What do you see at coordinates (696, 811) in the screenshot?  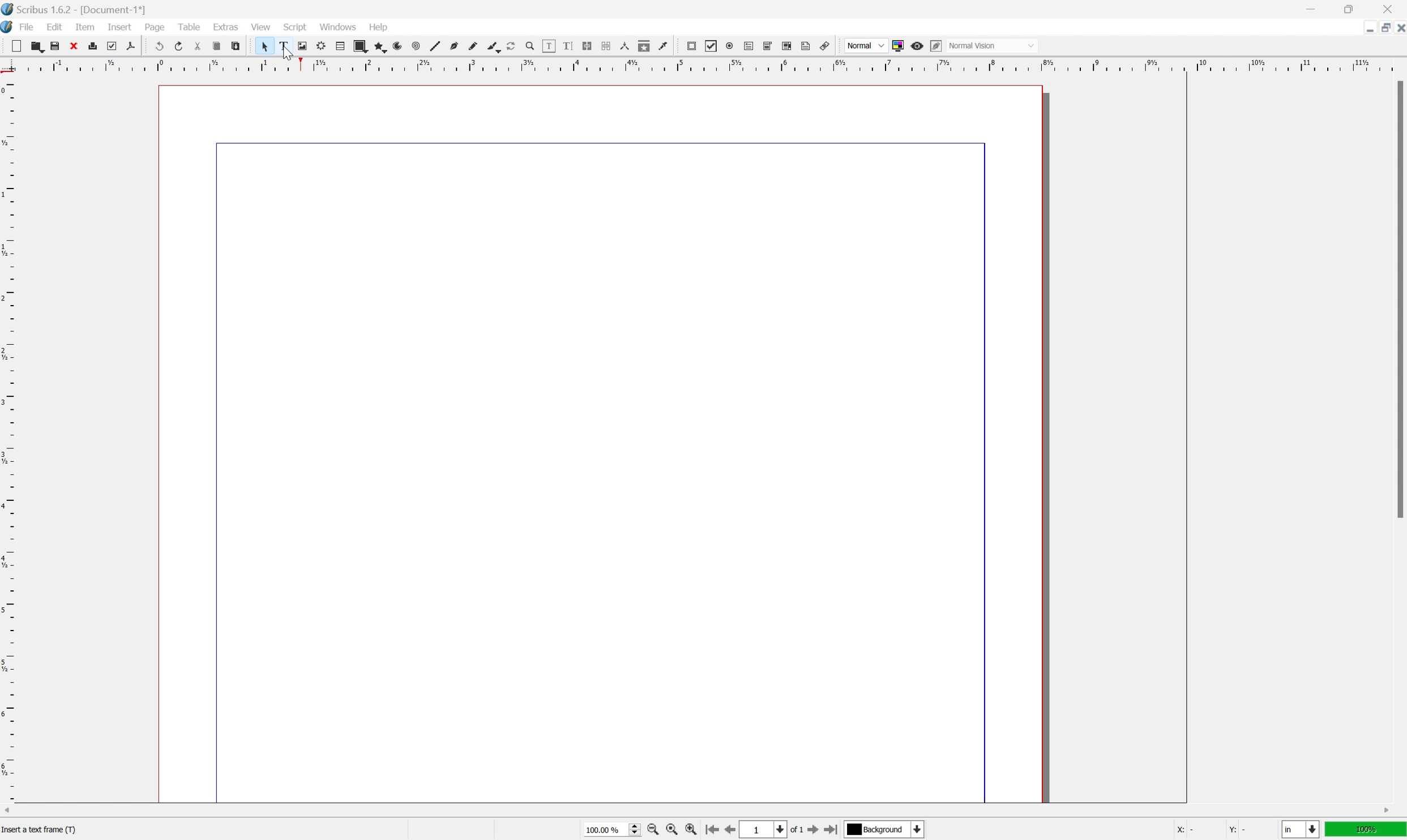 I see `scroll bar` at bounding box center [696, 811].